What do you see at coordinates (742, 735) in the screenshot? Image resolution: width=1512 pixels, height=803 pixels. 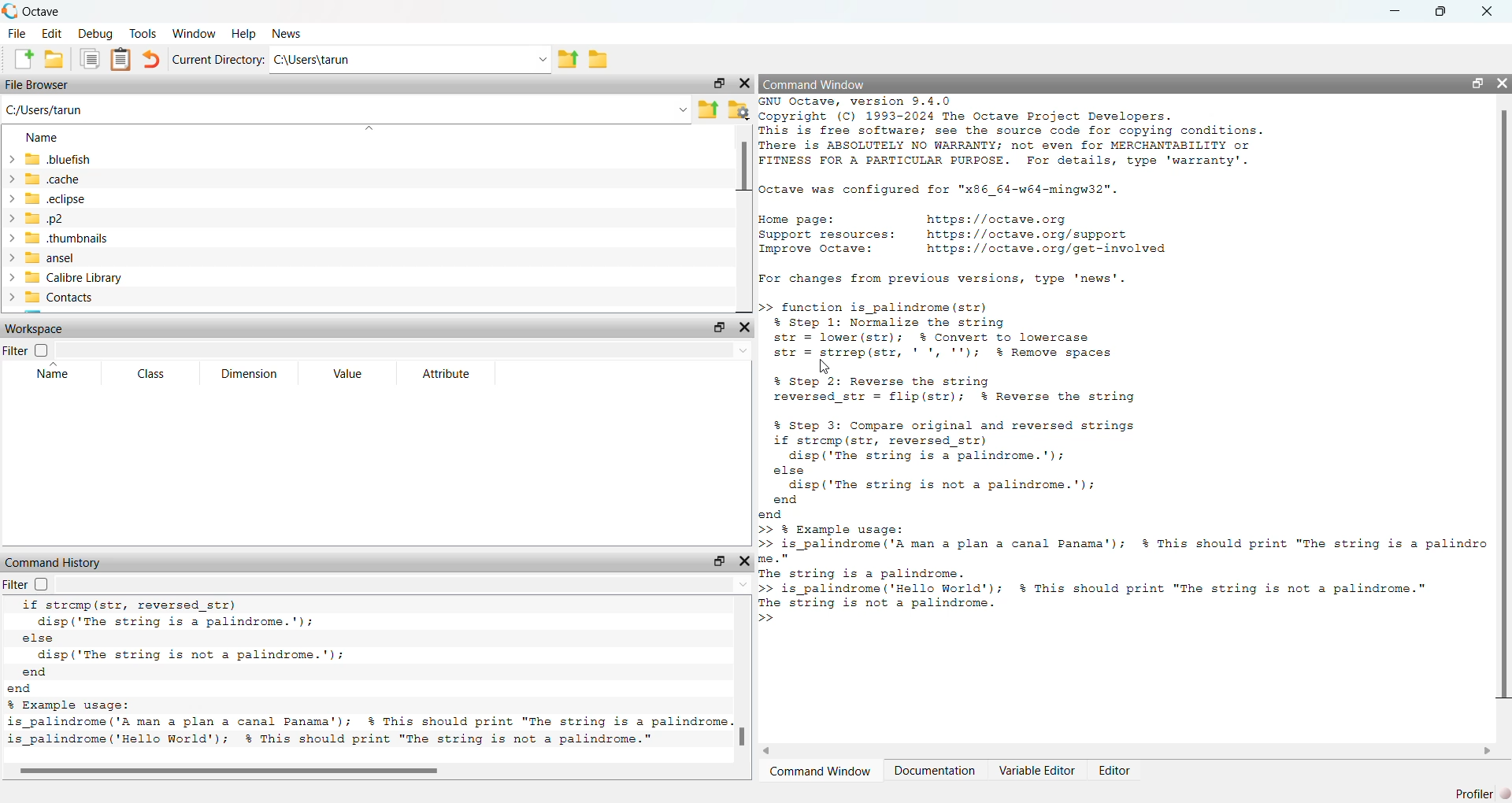 I see `scrollbar` at bounding box center [742, 735].